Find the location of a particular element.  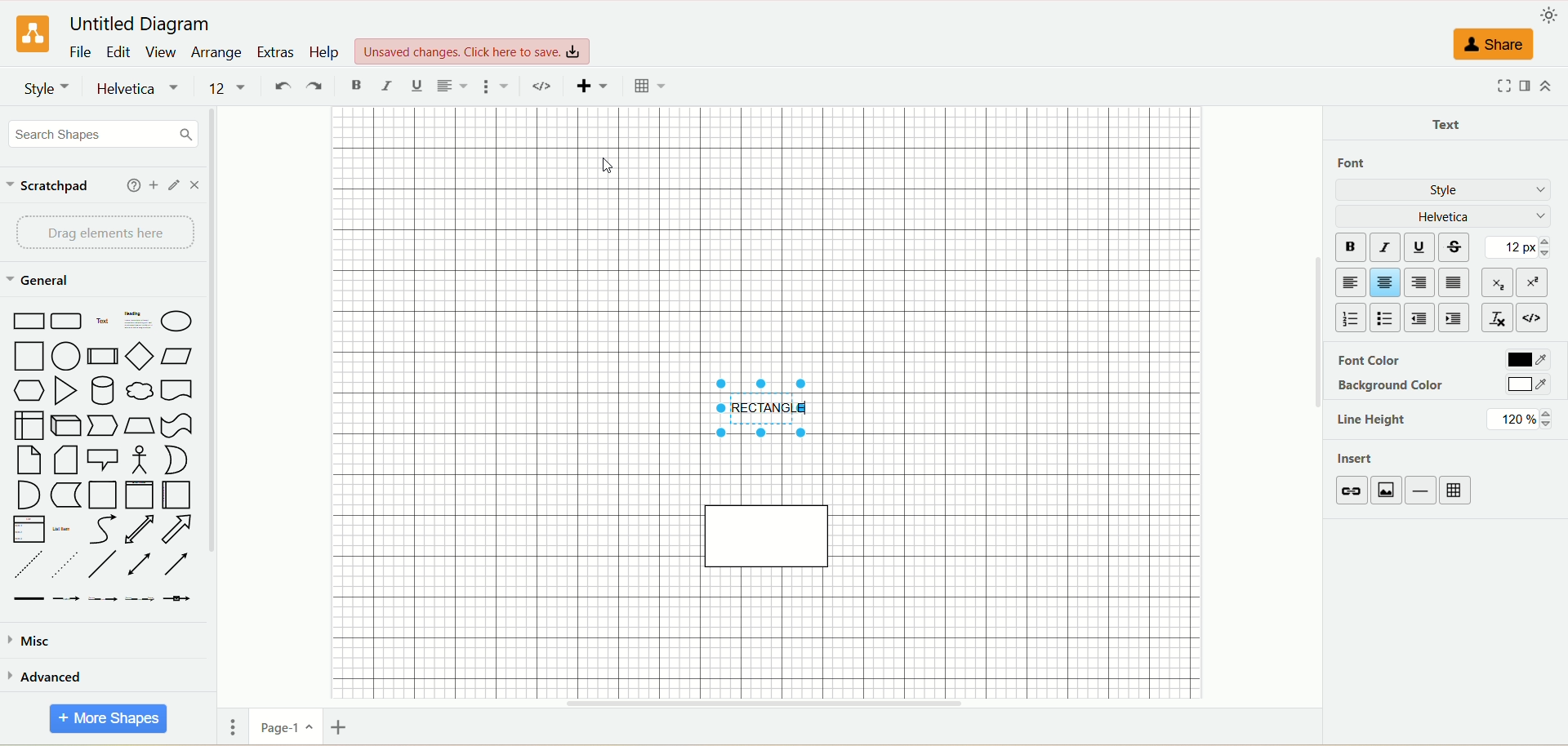

connector 3 is located at coordinates (103, 598).